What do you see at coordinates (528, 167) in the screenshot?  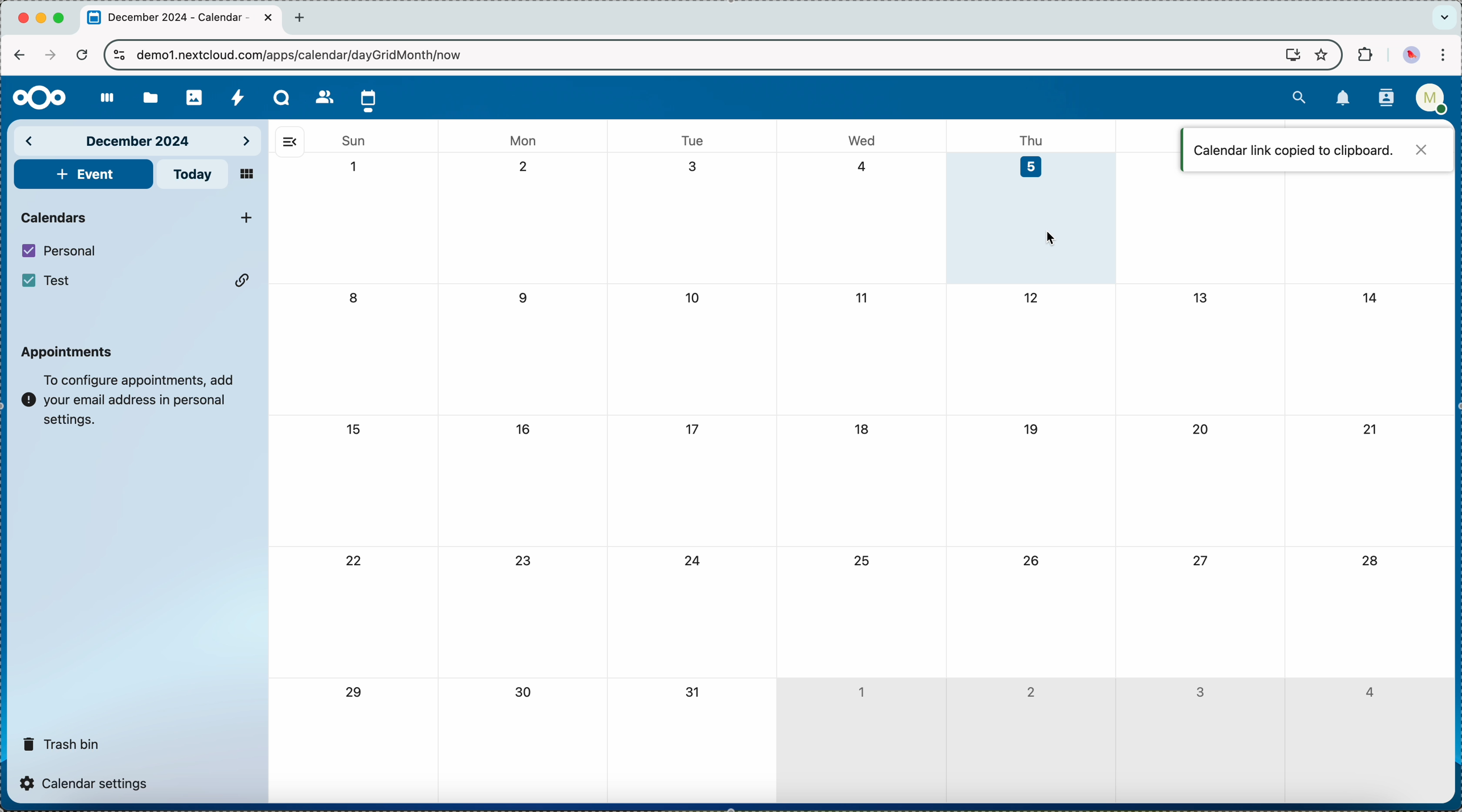 I see `2` at bounding box center [528, 167].